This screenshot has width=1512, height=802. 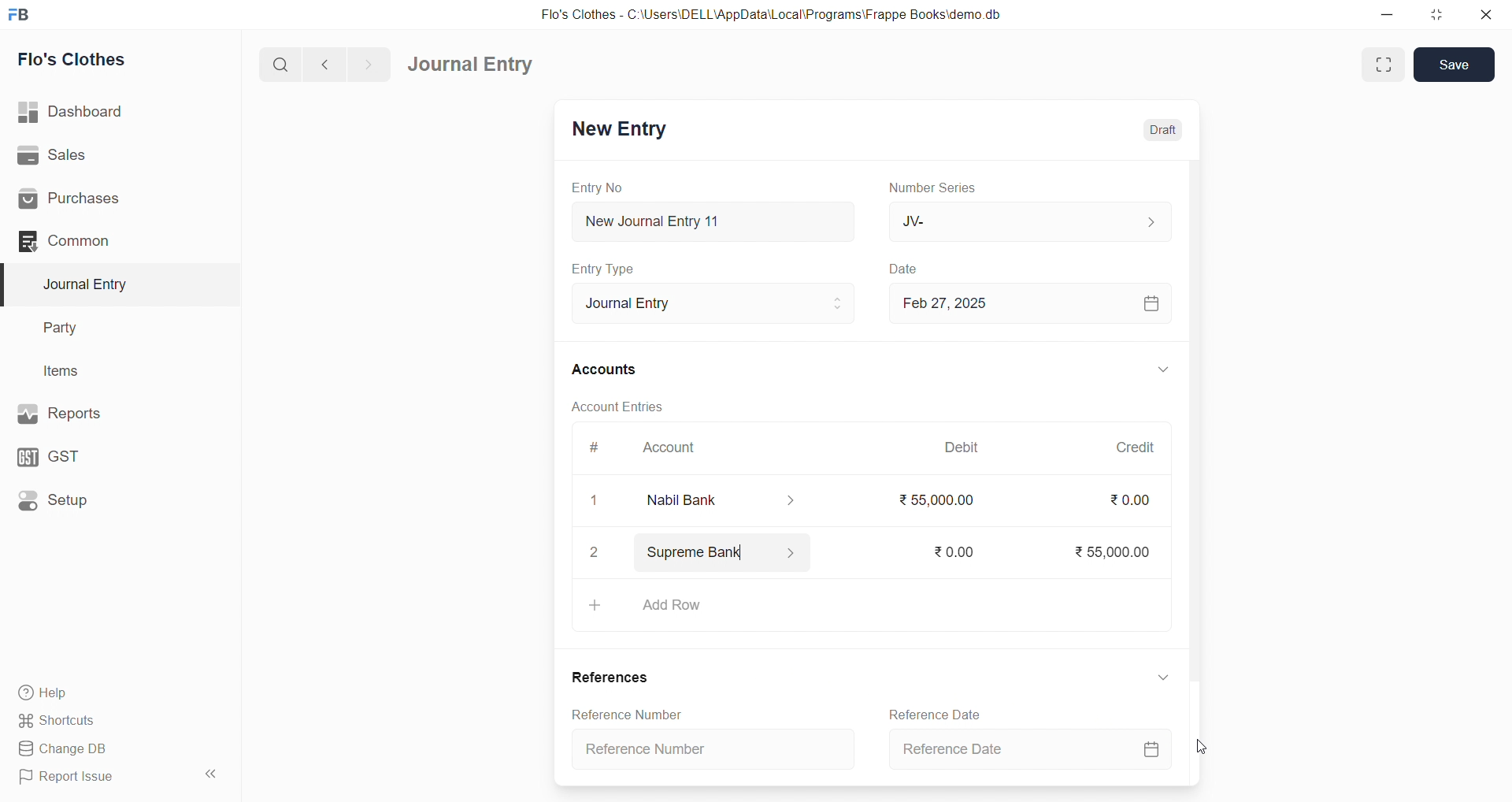 I want to click on Flo's Clothes, so click(x=80, y=59).